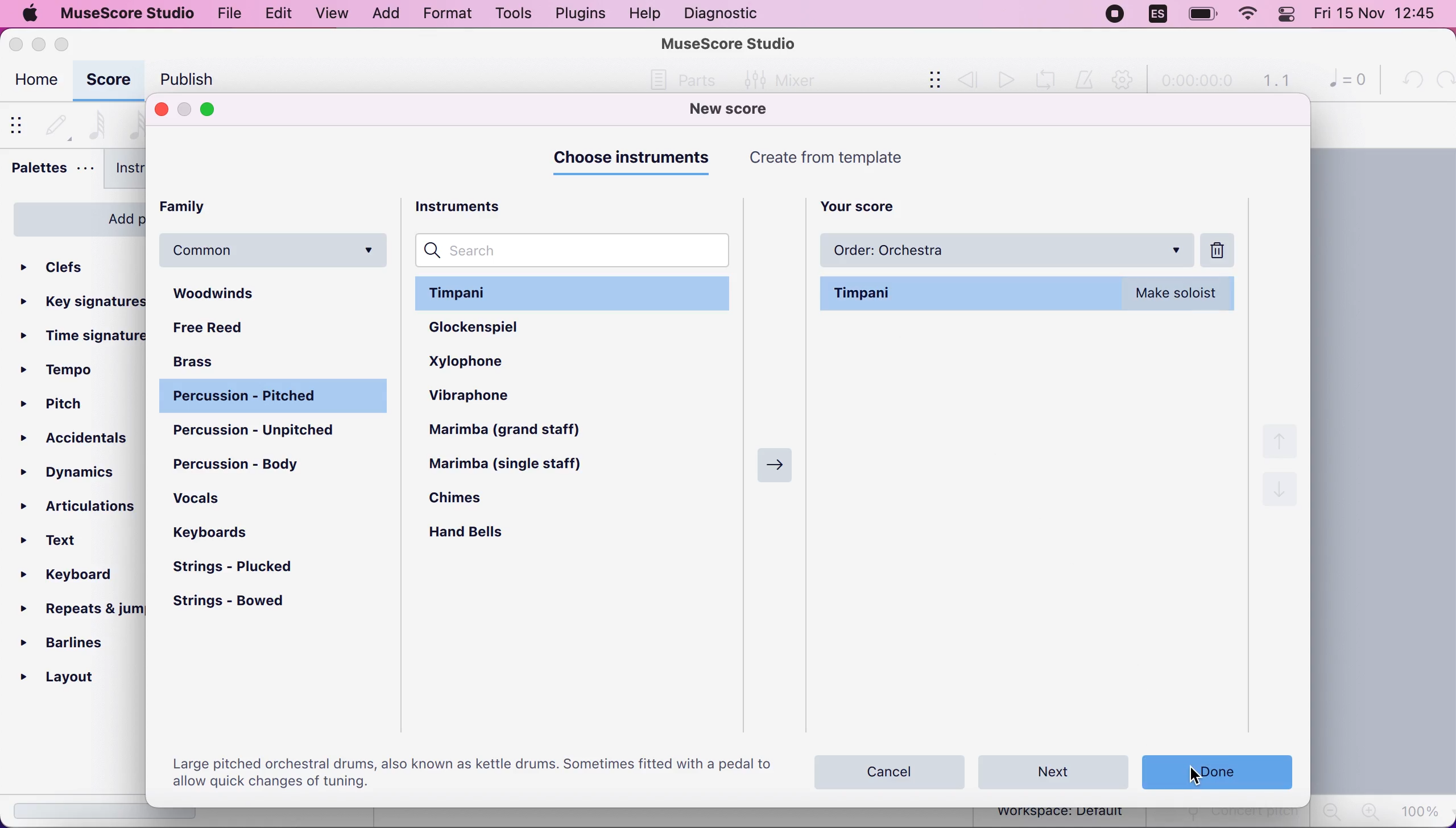 The width and height of the screenshot is (1456, 828). Describe the element at coordinates (97, 123) in the screenshot. I see `64th note` at that location.